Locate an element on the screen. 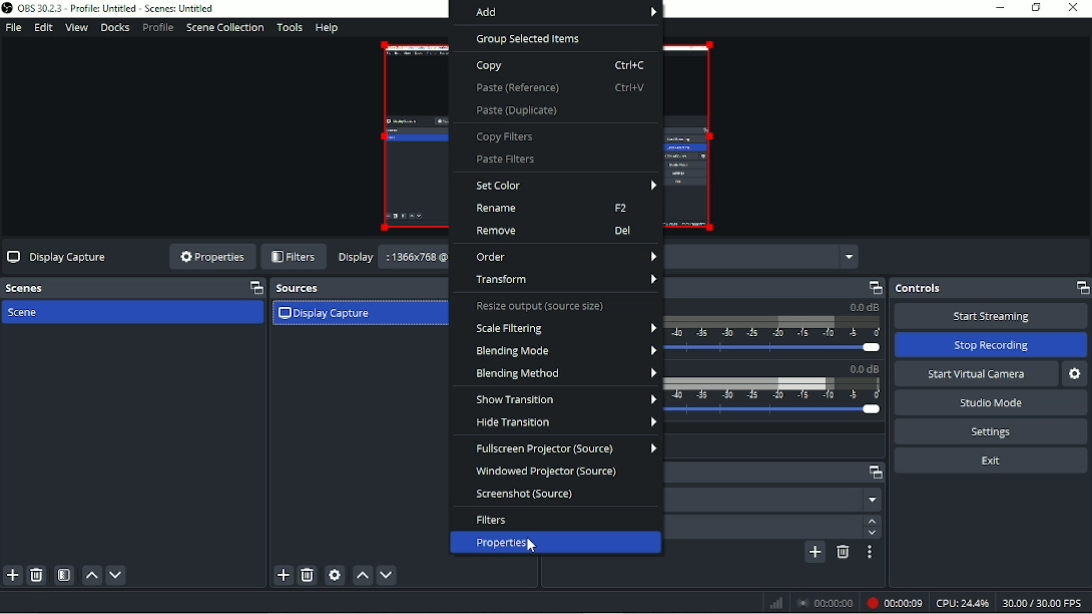 This screenshot has width=1092, height=614. Scene Collection is located at coordinates (224, 28).